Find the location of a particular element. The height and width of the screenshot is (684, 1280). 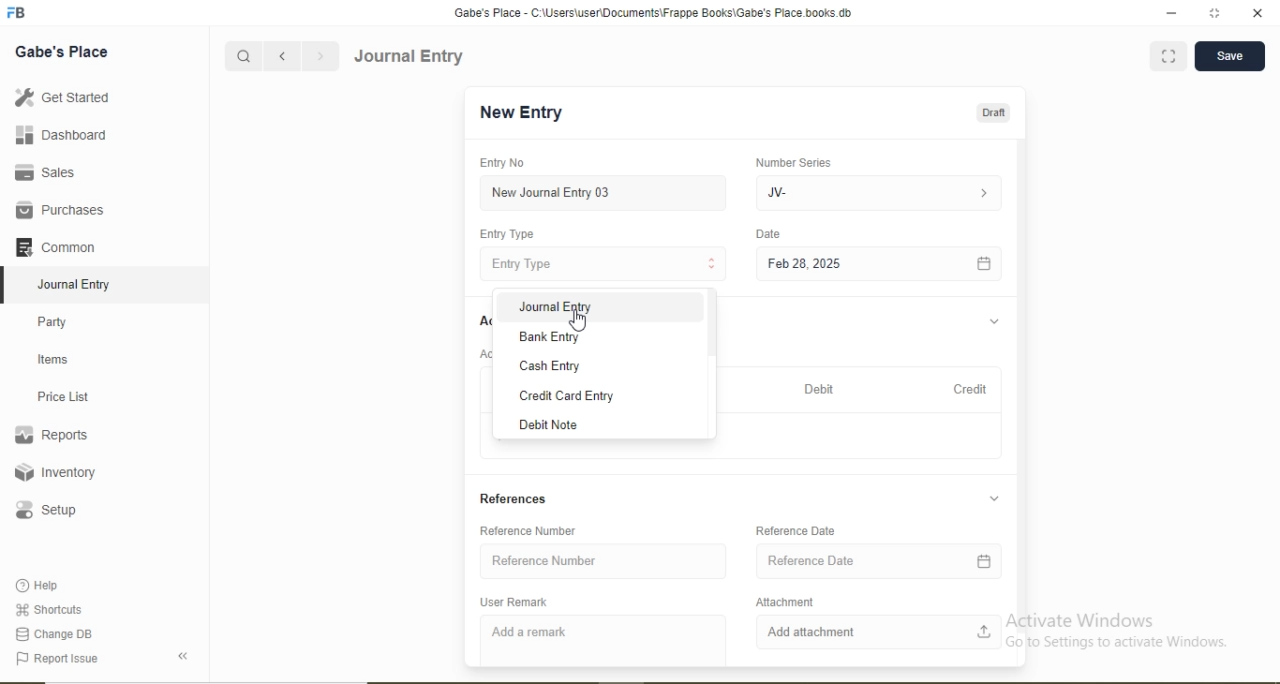

Help is located at coordinates (39, 585).